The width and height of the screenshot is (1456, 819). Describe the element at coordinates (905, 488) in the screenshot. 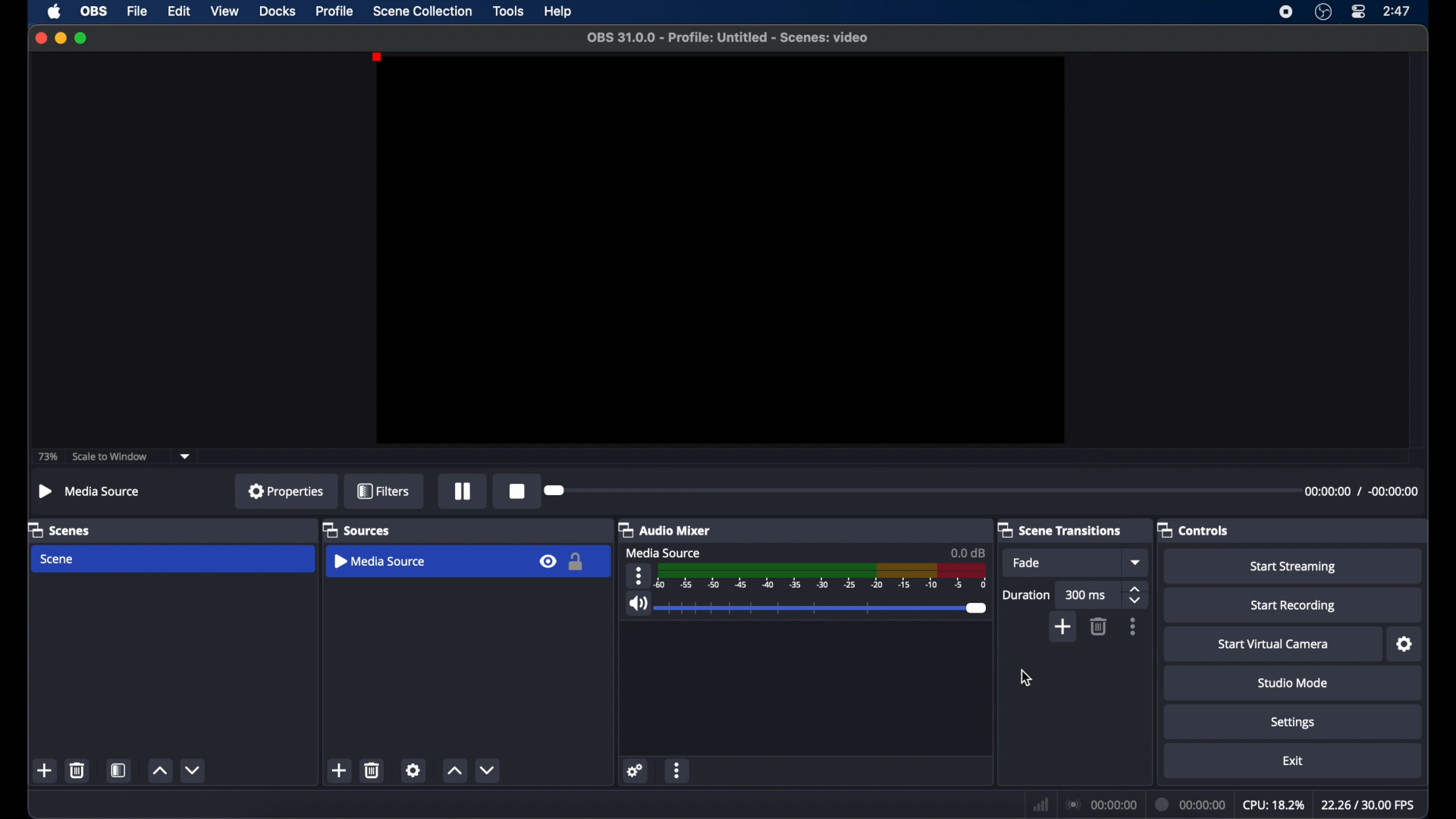

I see `Duration` at that location.